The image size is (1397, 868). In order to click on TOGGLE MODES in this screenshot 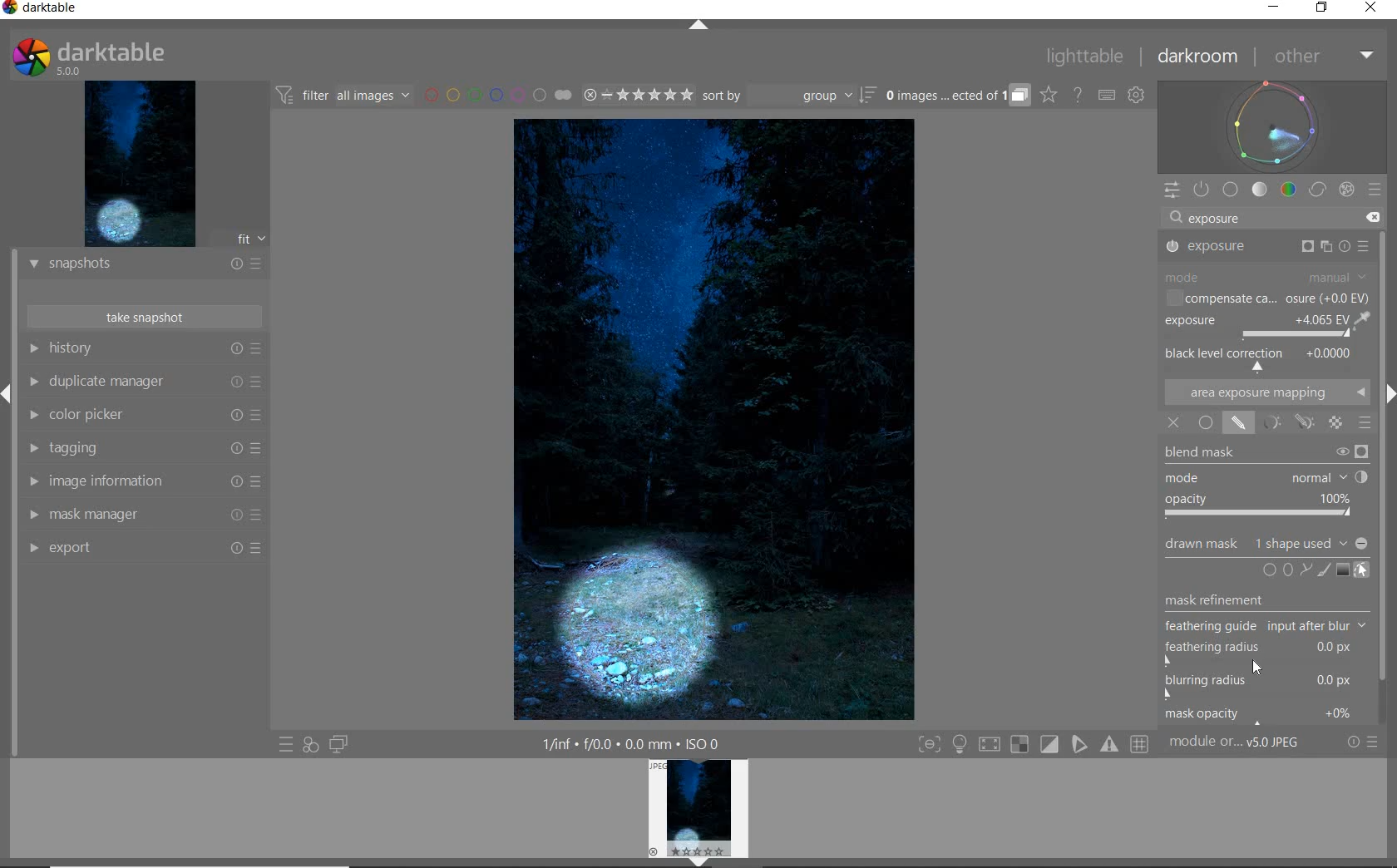, I will do `click(1033, 744)`.